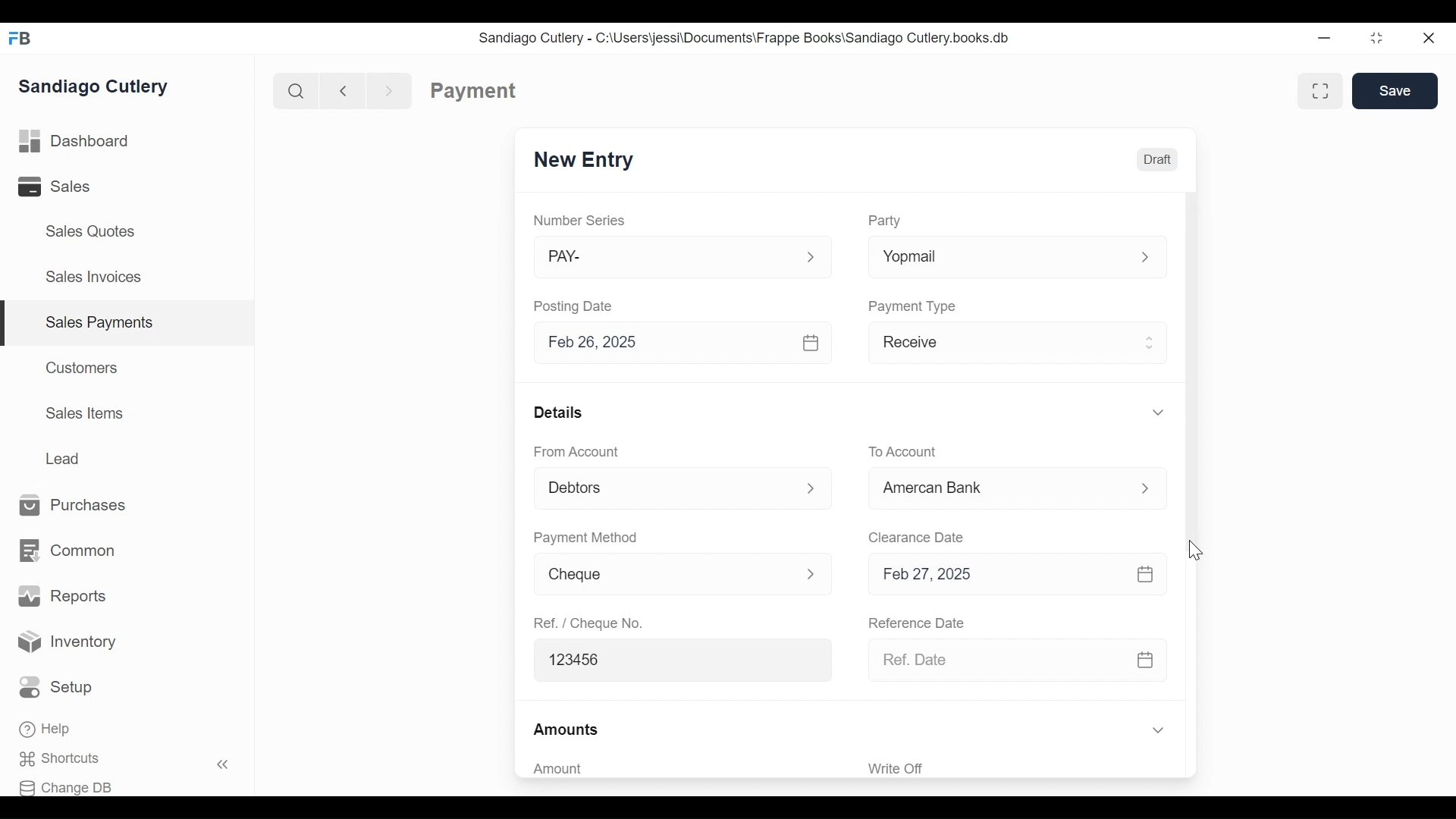  I want to click on Navigate forward, so click(390, 89).